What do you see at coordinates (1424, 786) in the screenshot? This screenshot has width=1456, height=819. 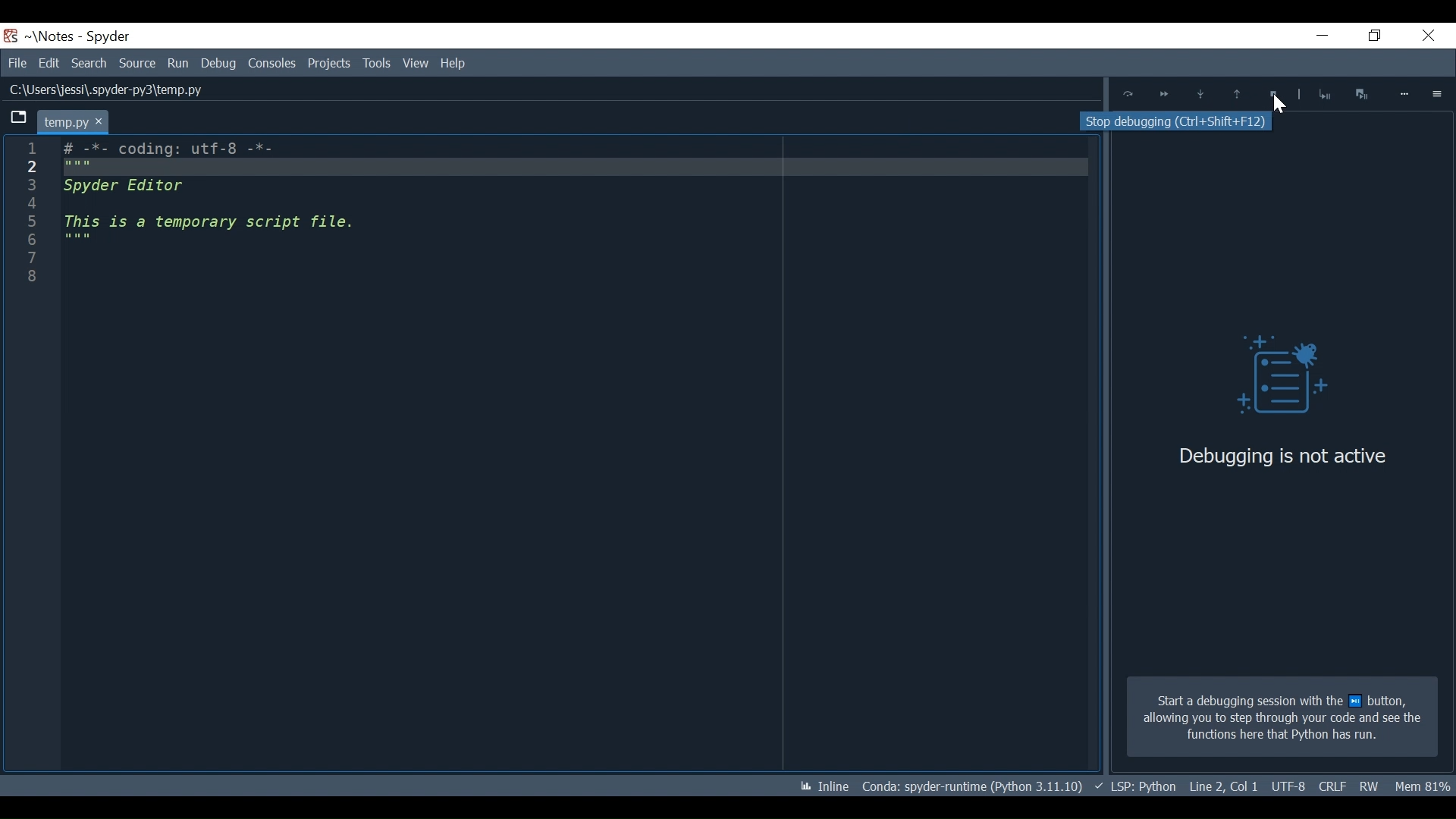 I see `Memory Usage` at bounding box center [1424, 786].